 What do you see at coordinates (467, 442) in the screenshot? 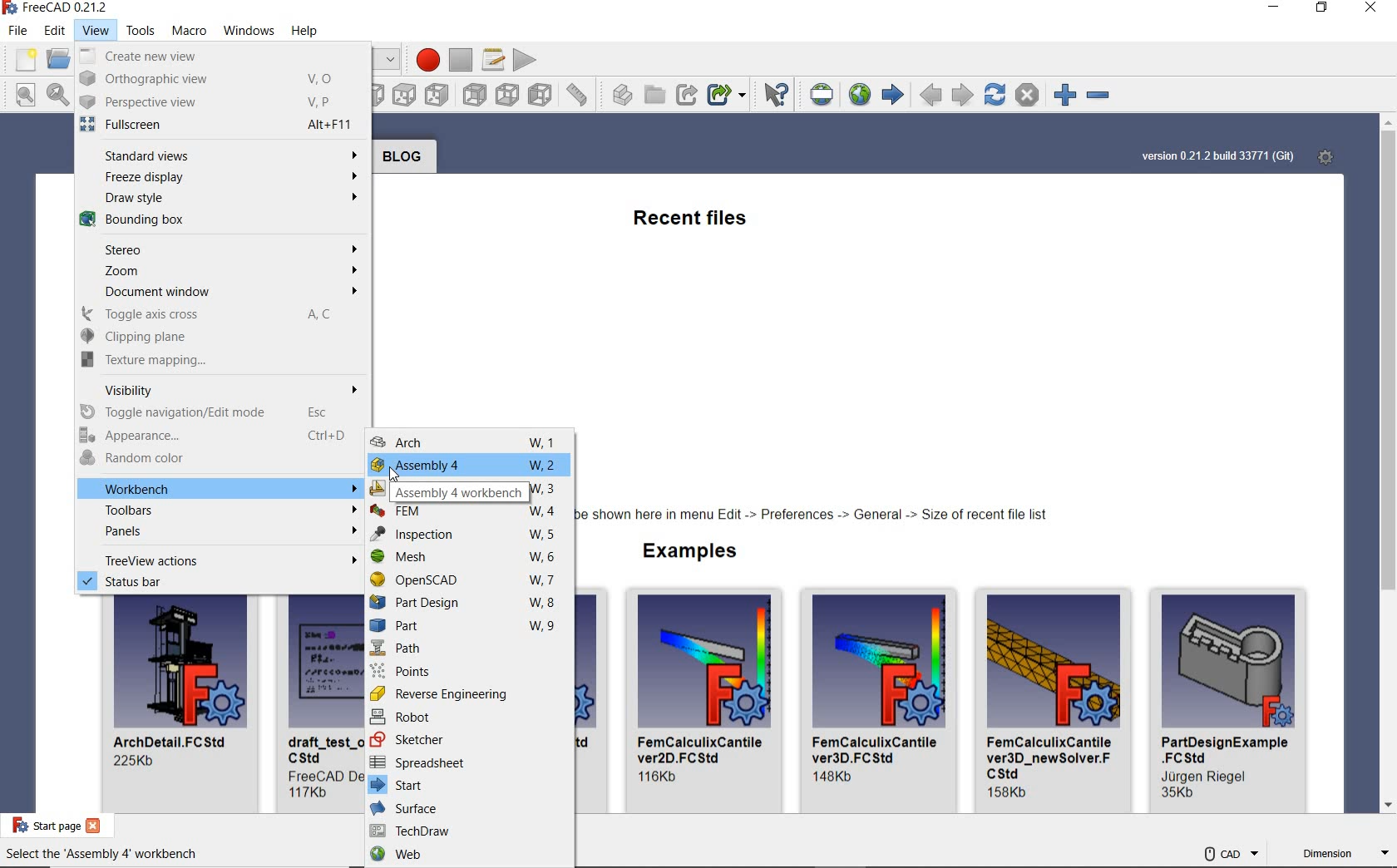
I see `arch` at bounding box center [467, 442].